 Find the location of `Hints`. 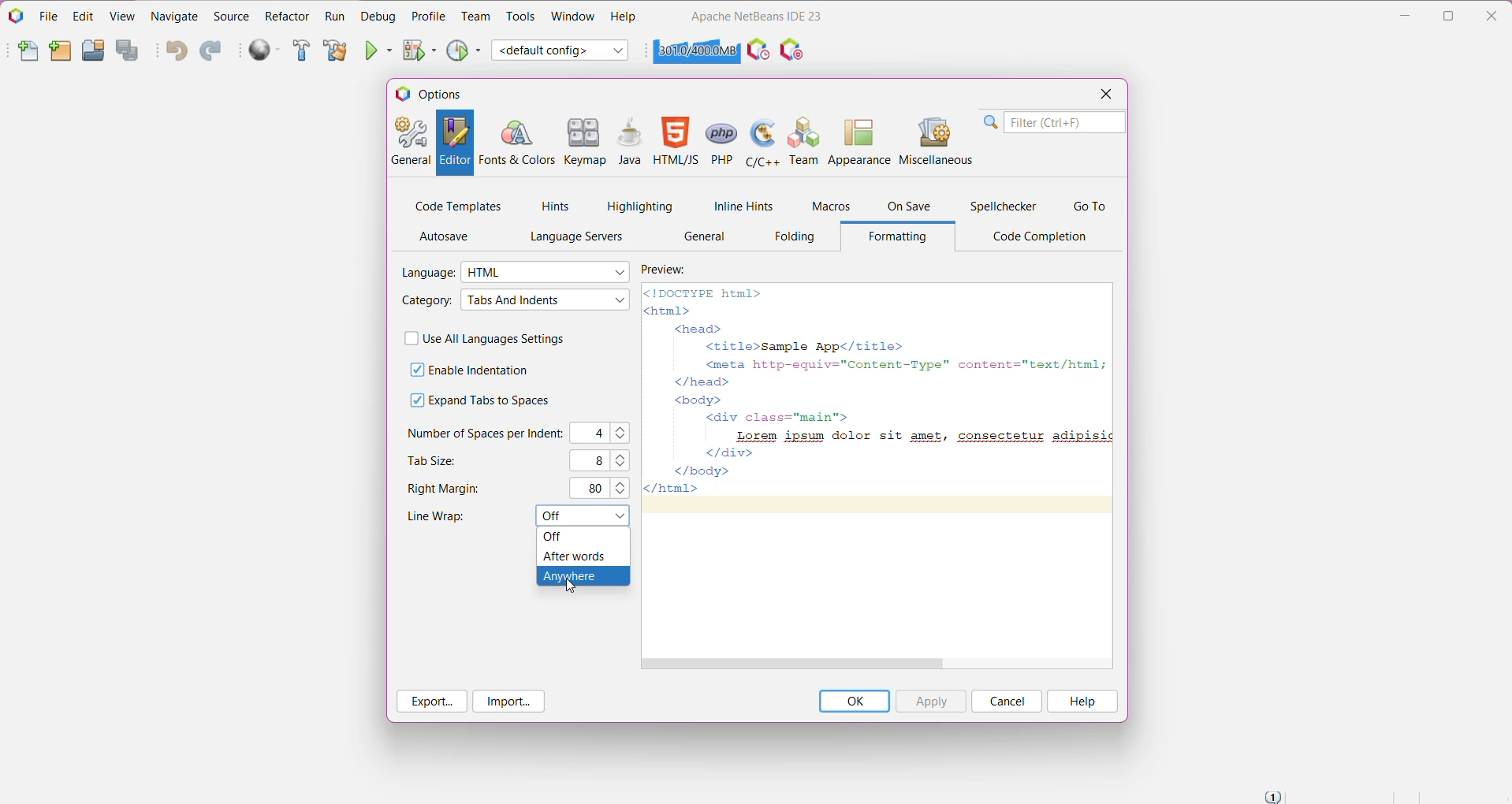

Hints is located at coordinates (556, 207).